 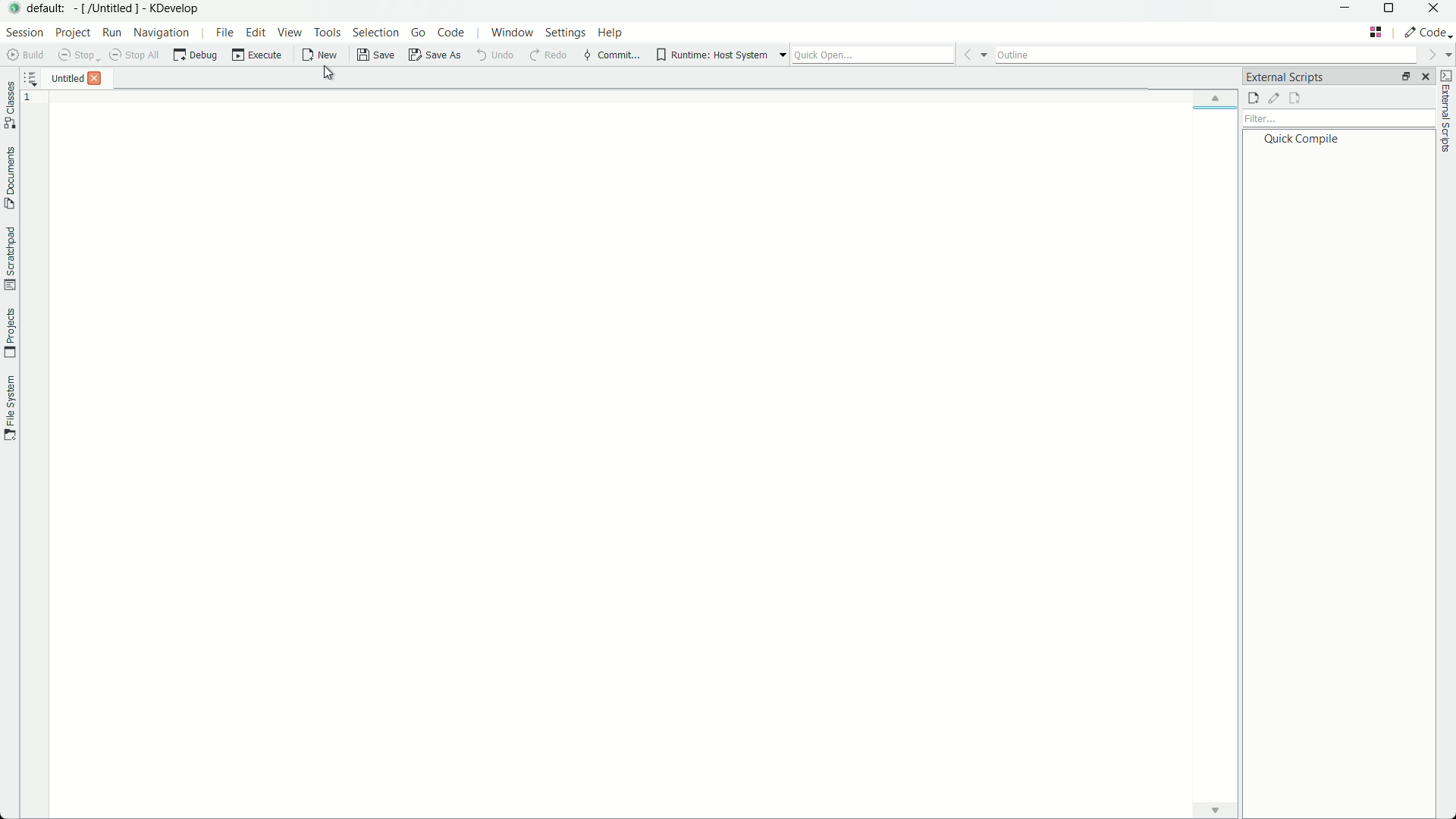 I want to click on debug, so click(x=199, y=54).